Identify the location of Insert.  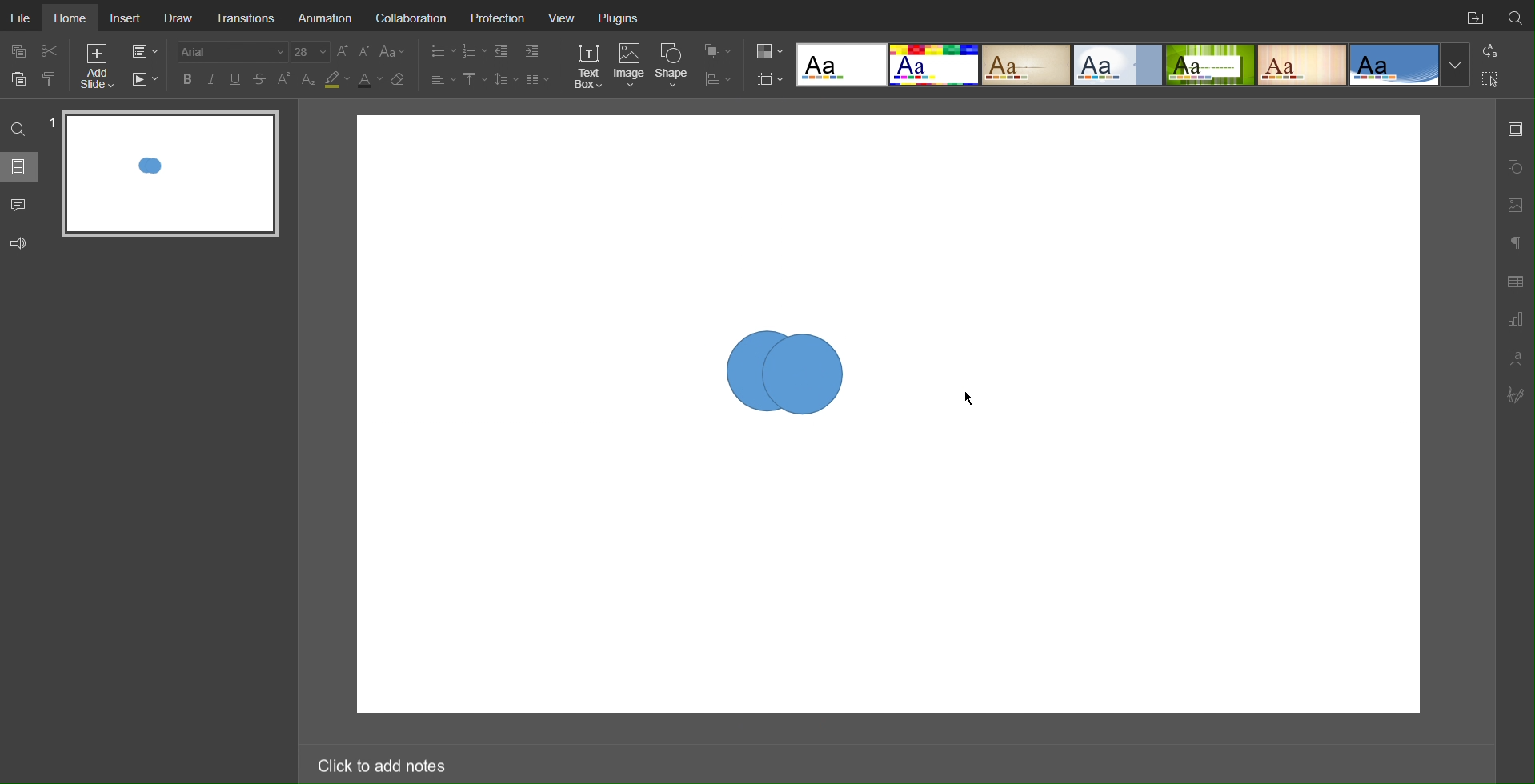
(127, 18).